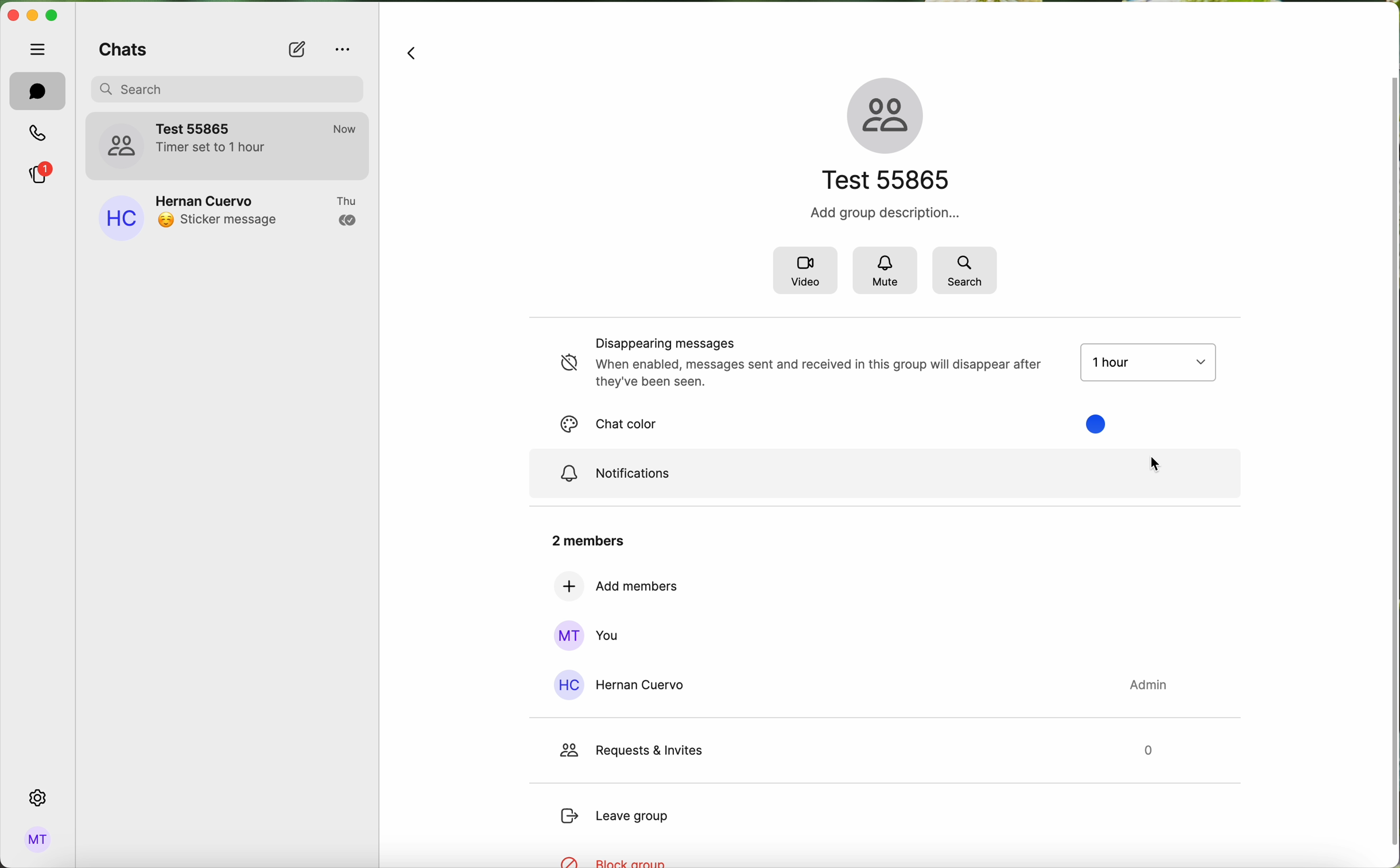  I want to click on Add group description..., so click(885, 212).